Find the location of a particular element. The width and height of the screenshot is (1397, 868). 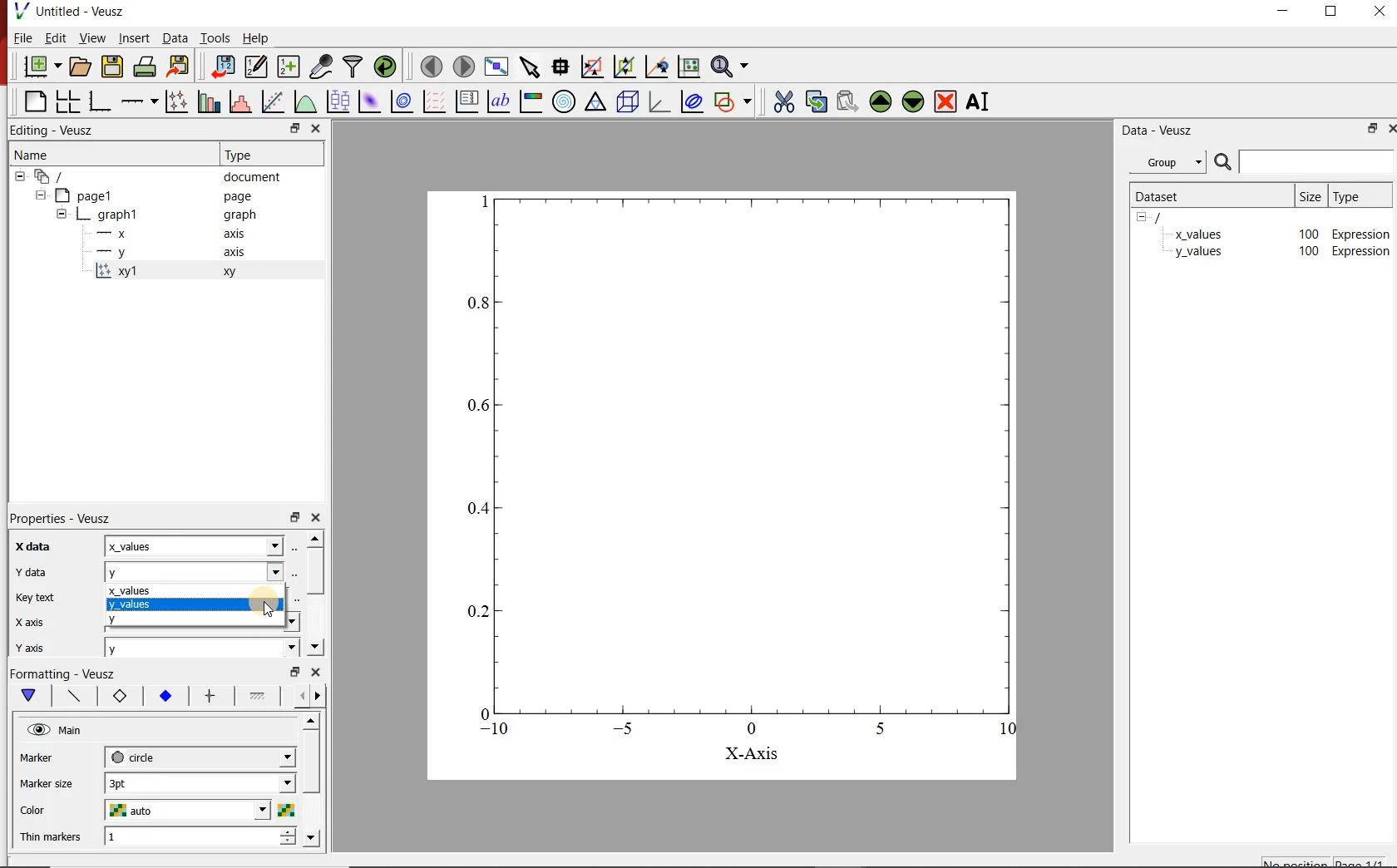

marker border is located at coordinates (119, 697).